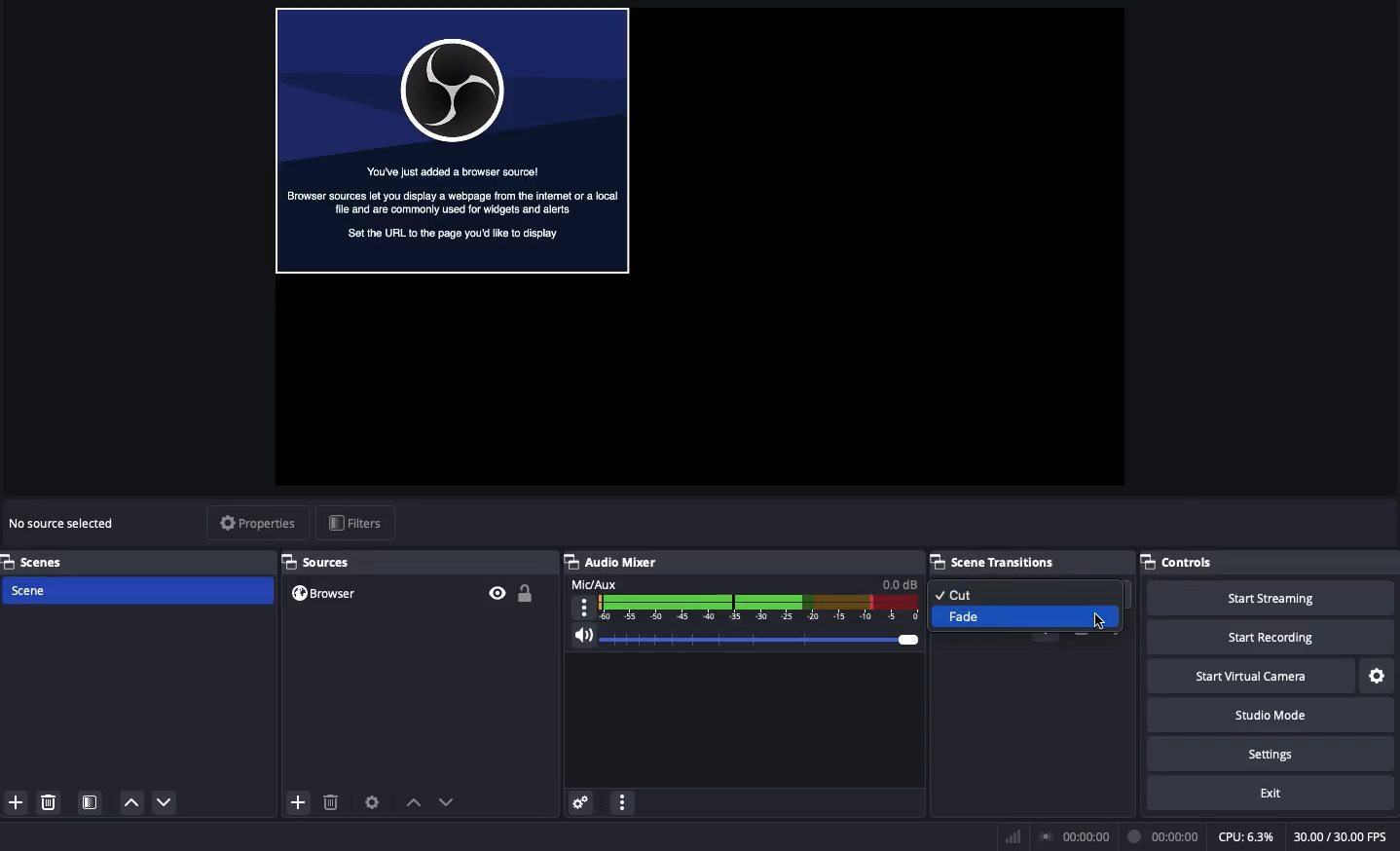 This screenshot has height=851, width=1400. What do you see at coordinates (131, 803) in the screenshot?
I see `Move up` at bounding box center [131, 803].